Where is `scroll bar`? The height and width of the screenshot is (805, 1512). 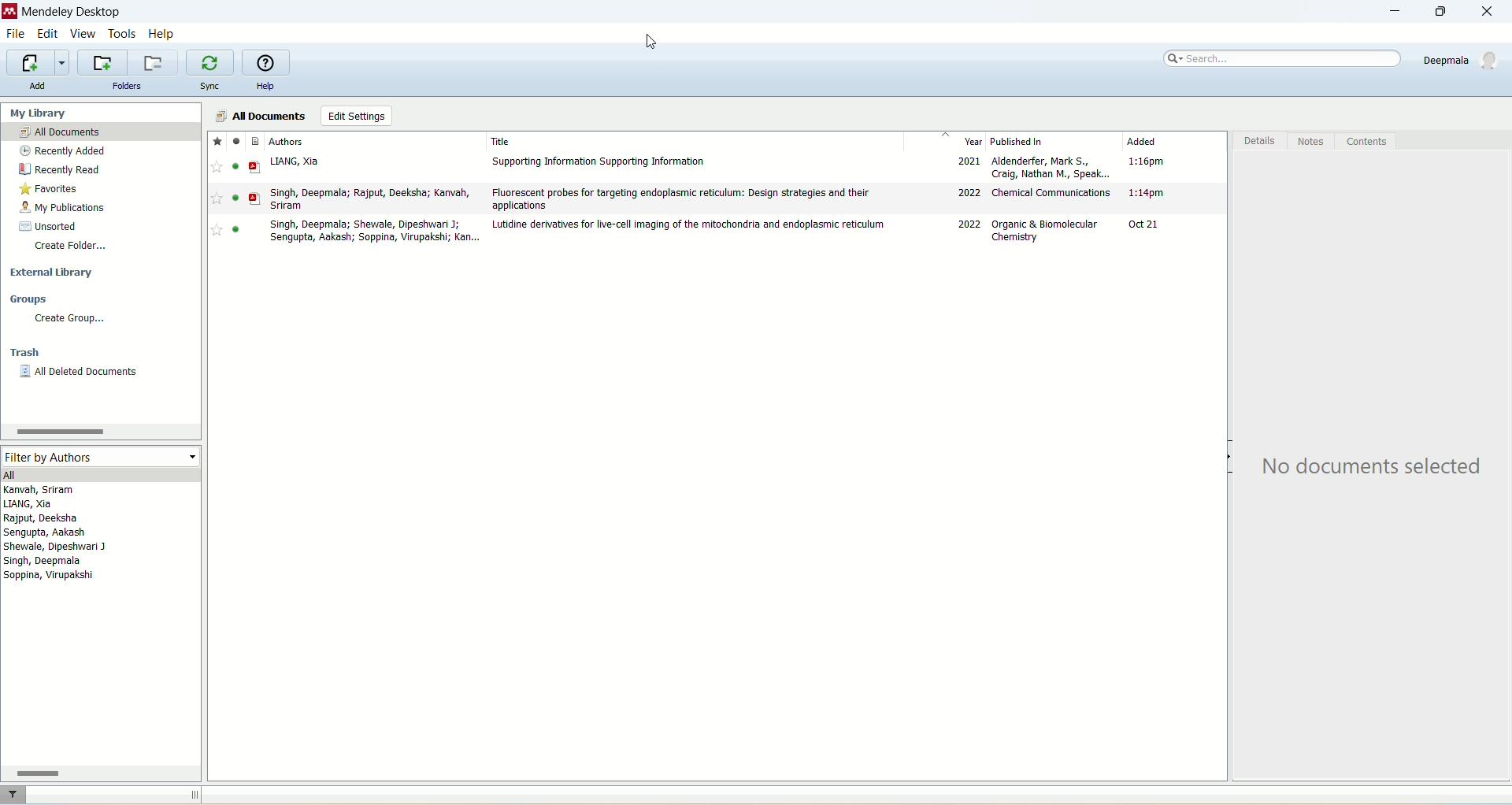
scroll bar is located at coordinates (98, 775).